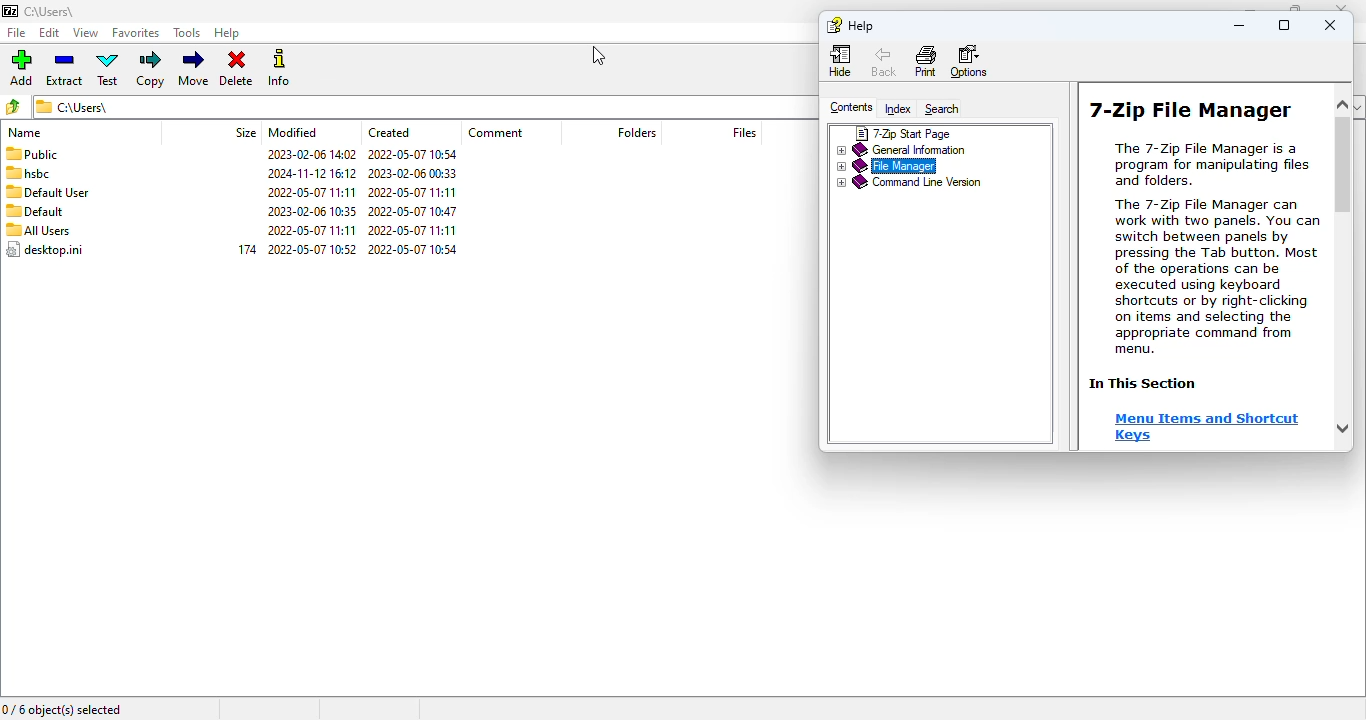 Image resolution: width=1366 pixels, height=720 pixels. What do you see at coordinates (635, 131) in the screenshot?
I see `folders` at bounding box center [635, 131].